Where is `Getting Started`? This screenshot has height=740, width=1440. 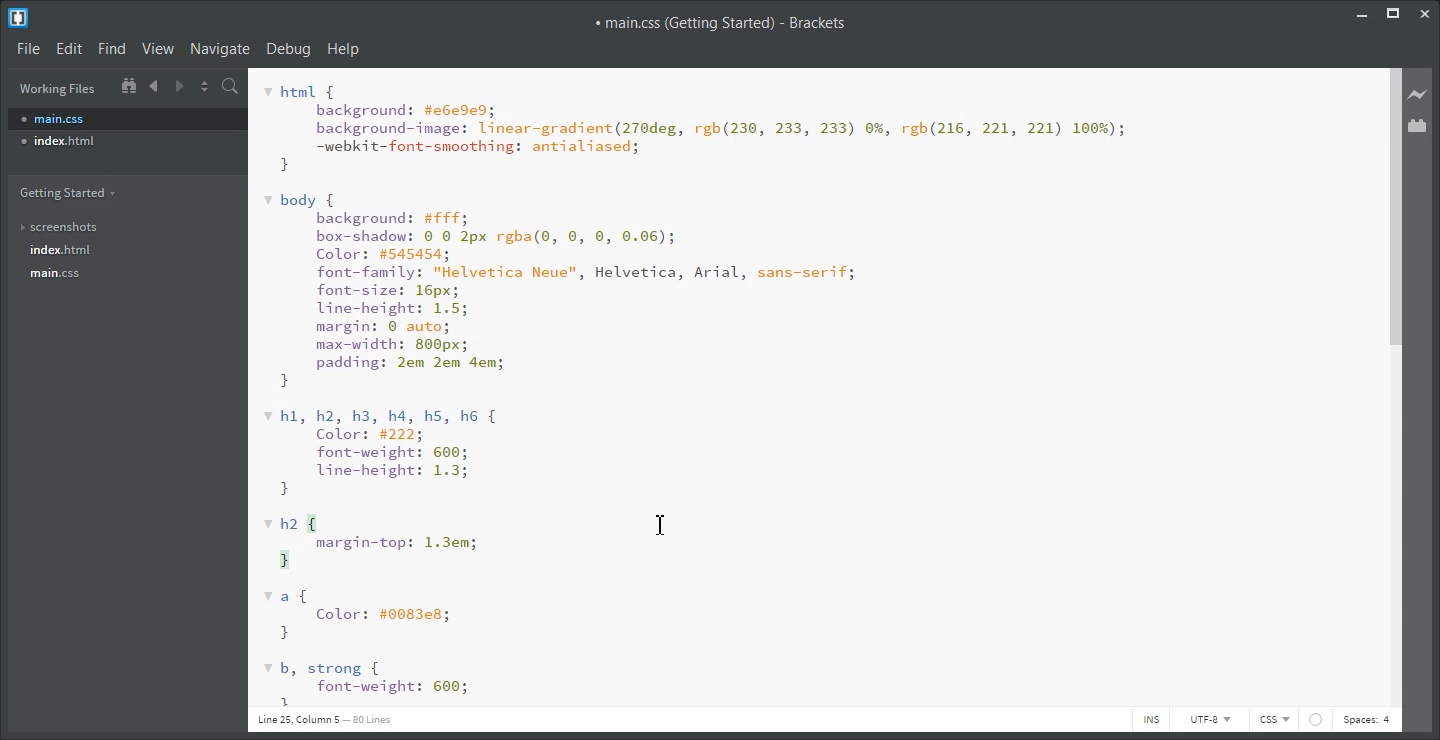 Getting Started is located at coordinates (75, 191).